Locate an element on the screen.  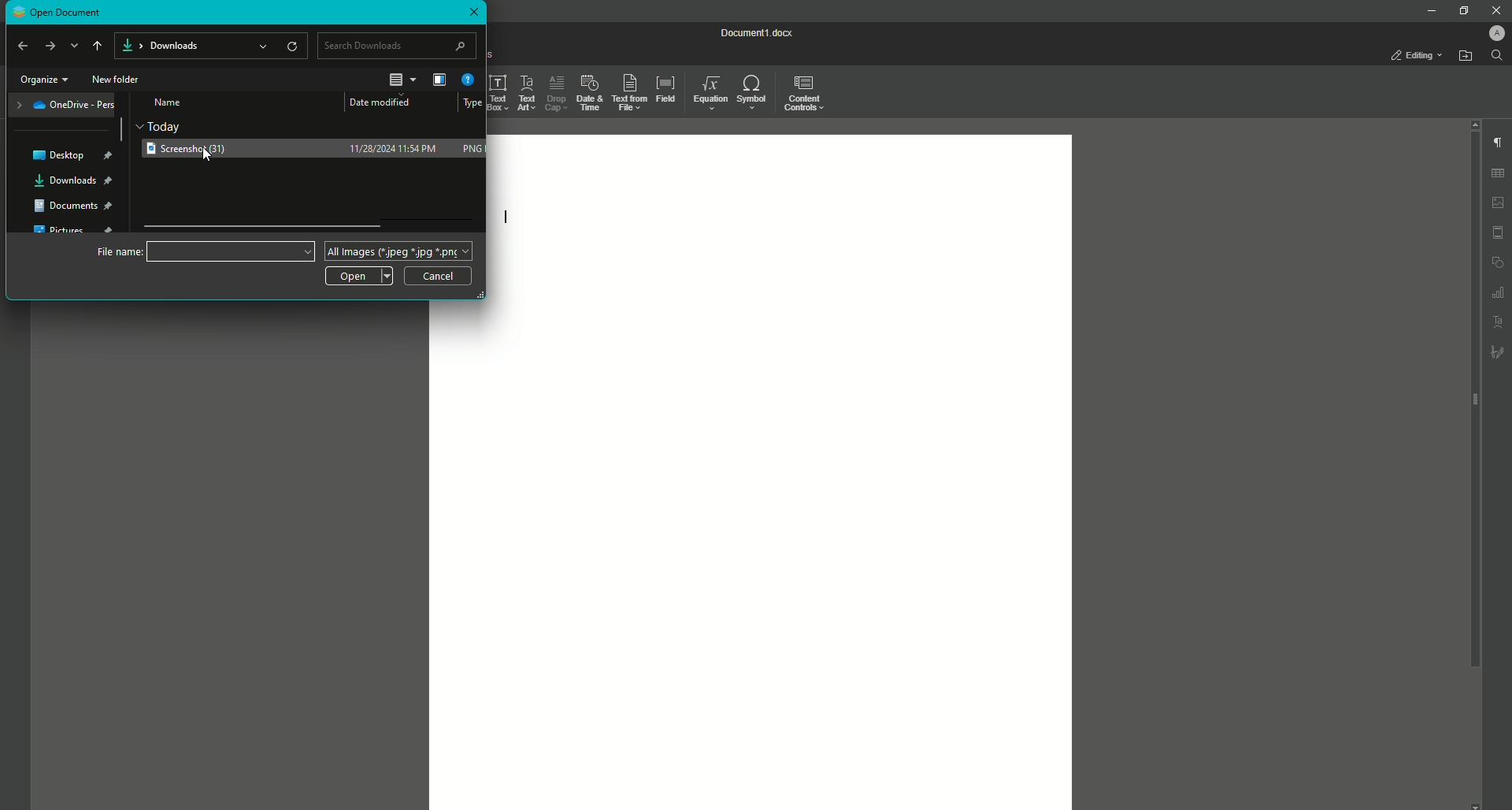
Cancel is located at coordinates (441, 277).